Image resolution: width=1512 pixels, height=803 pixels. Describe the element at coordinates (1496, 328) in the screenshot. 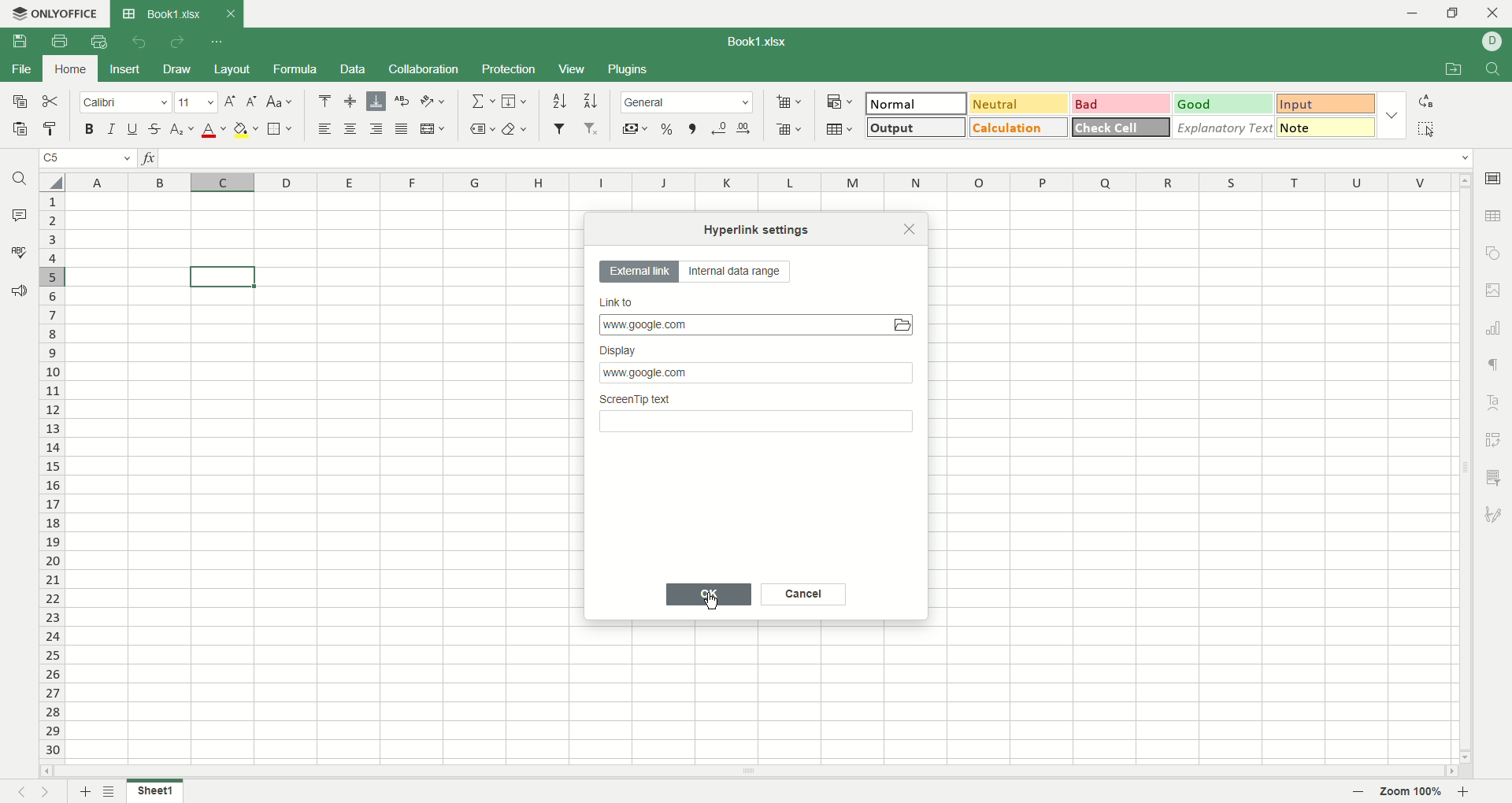

I see `chart setting` at that location.